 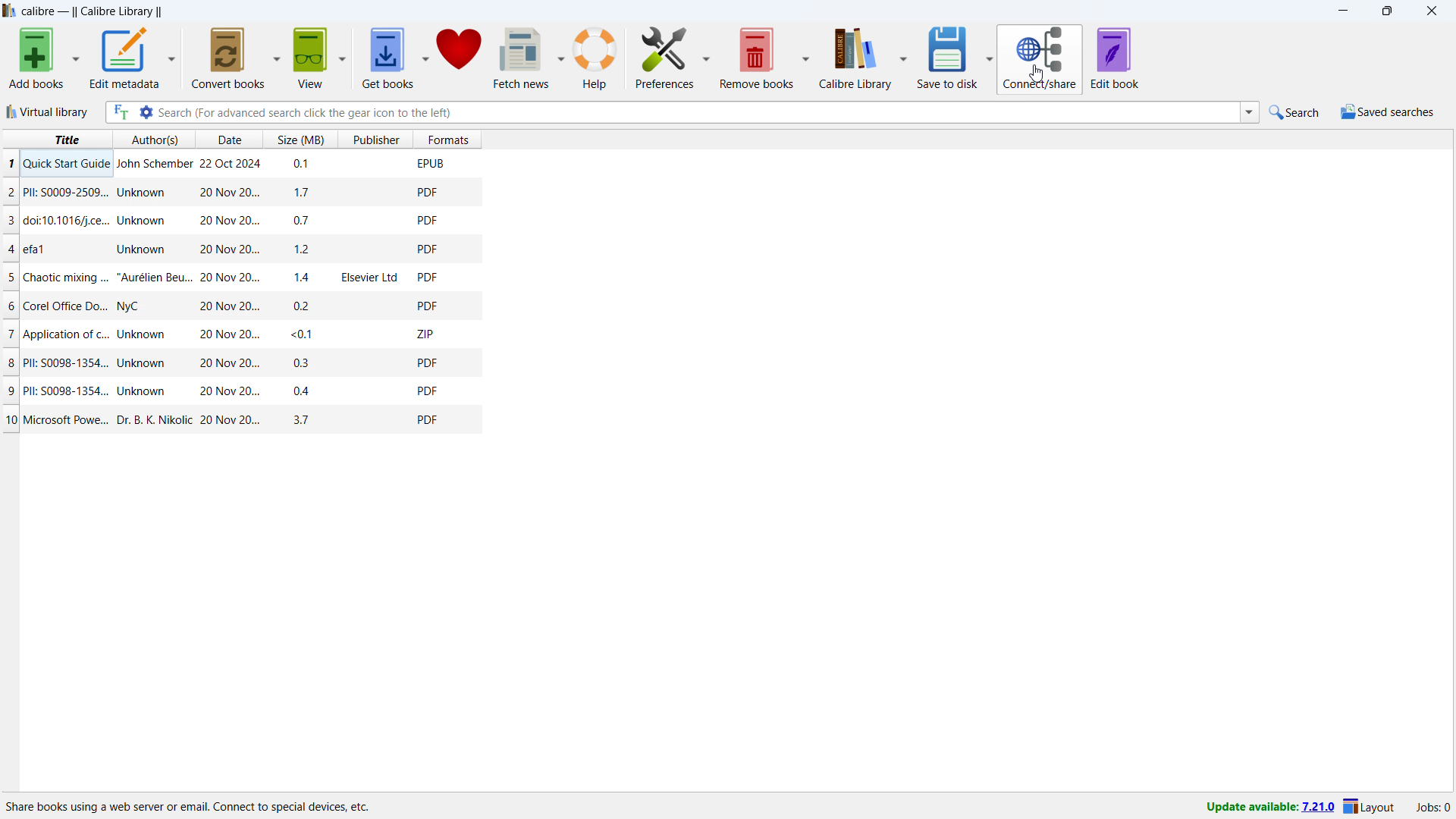 What do you see at coordinates (236, 306) in the screenshot?
I see `one book entry` at bounding box center [236, 306].